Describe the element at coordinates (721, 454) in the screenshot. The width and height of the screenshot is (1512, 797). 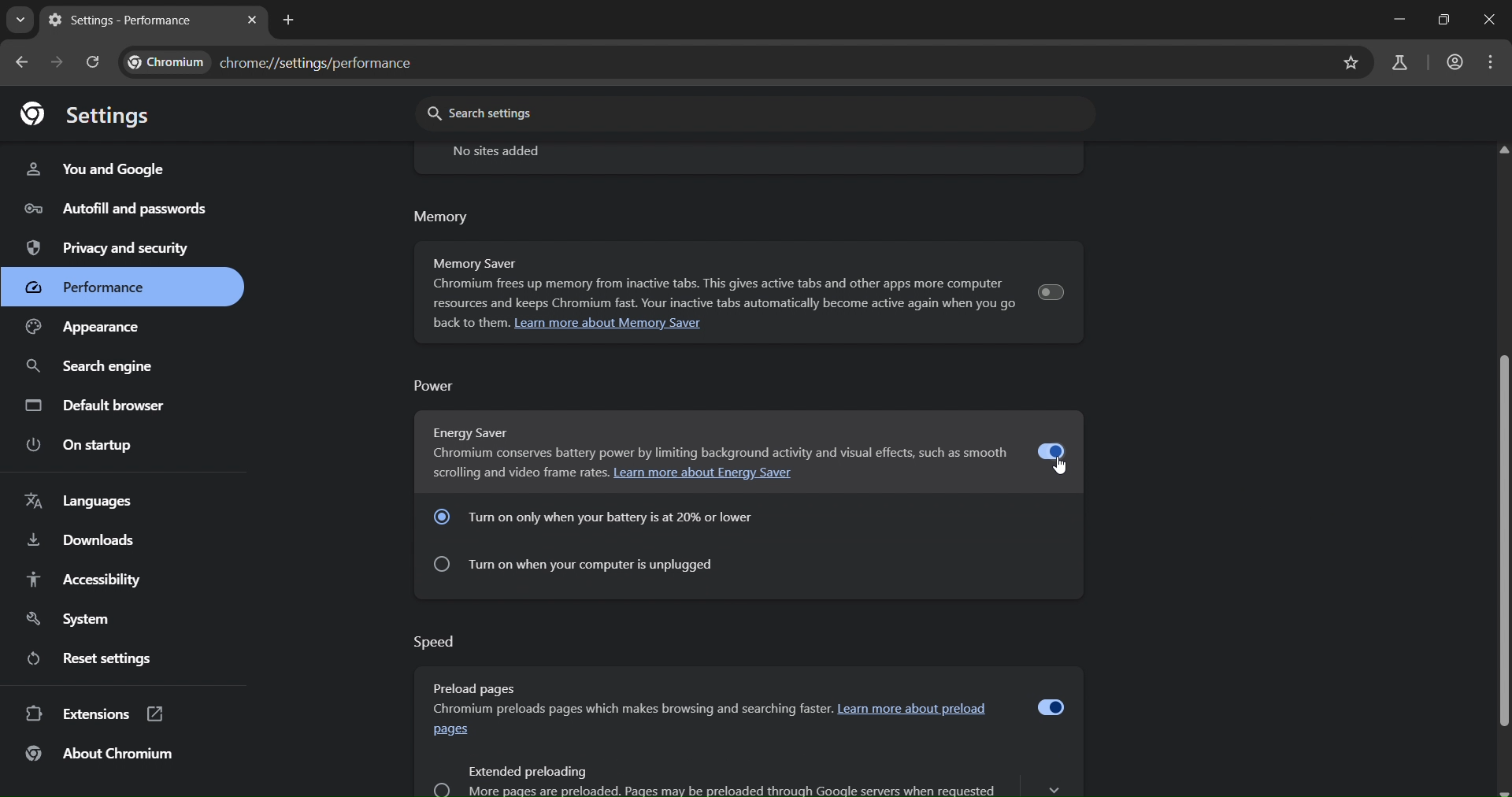
I see `scrolling and video frame rates. Learn more about Energy Saver` at that location.